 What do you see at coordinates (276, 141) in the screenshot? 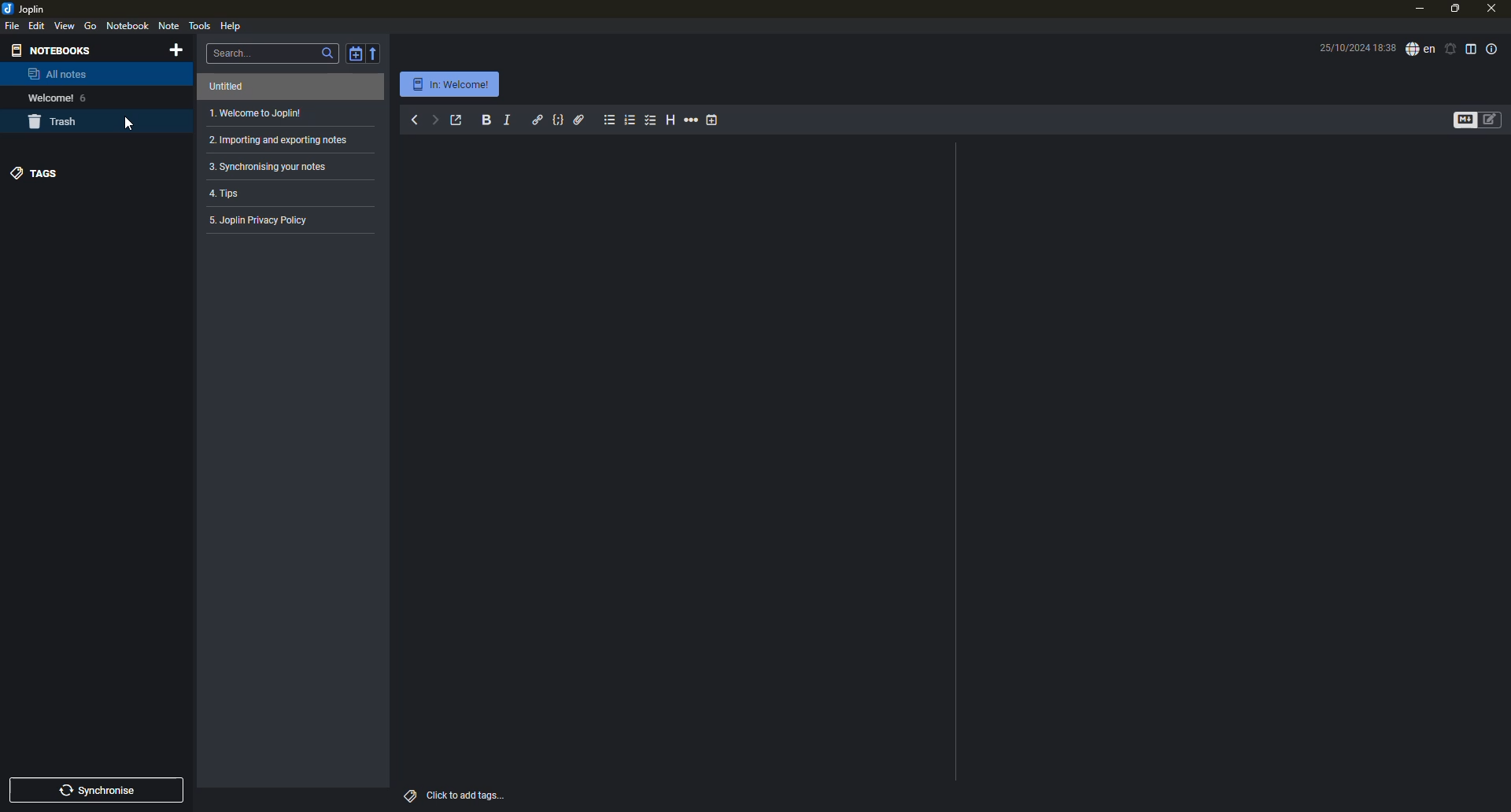
I see `2. importing ad exporting notes` at bounding box center [276, 141].